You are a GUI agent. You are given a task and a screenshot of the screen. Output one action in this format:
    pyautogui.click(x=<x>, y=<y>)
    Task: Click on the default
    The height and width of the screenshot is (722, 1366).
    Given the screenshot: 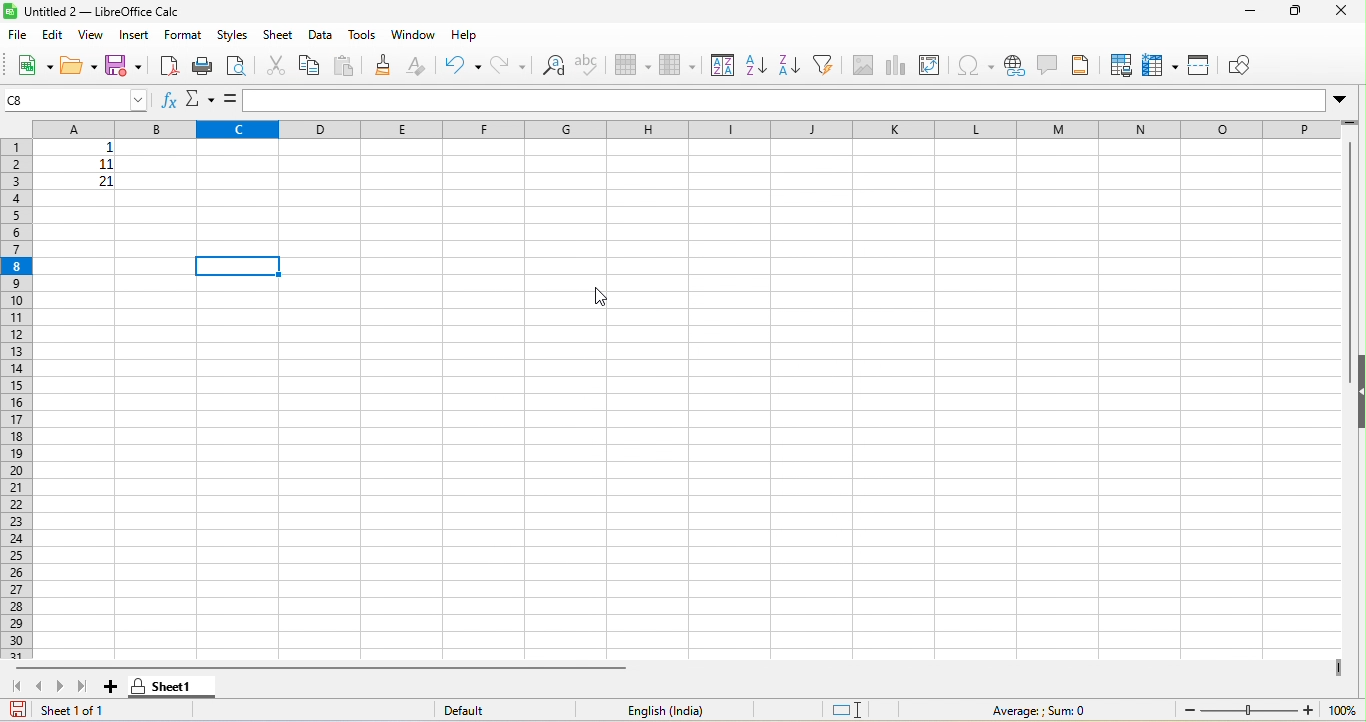 What is the action you would take?
    pyautogui.click(x=478, y=710)
    